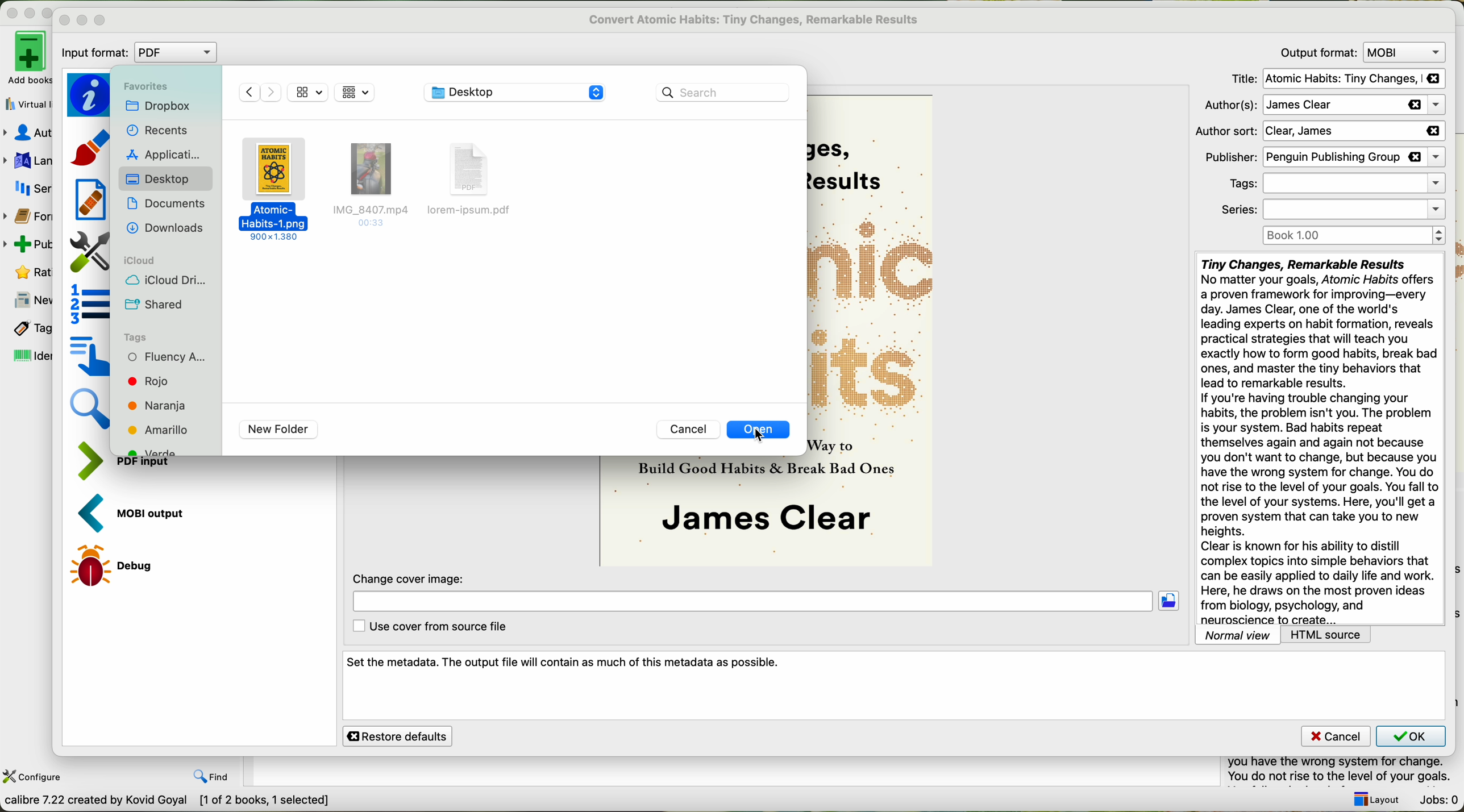  I want to click on book cover, so click(873, 330).